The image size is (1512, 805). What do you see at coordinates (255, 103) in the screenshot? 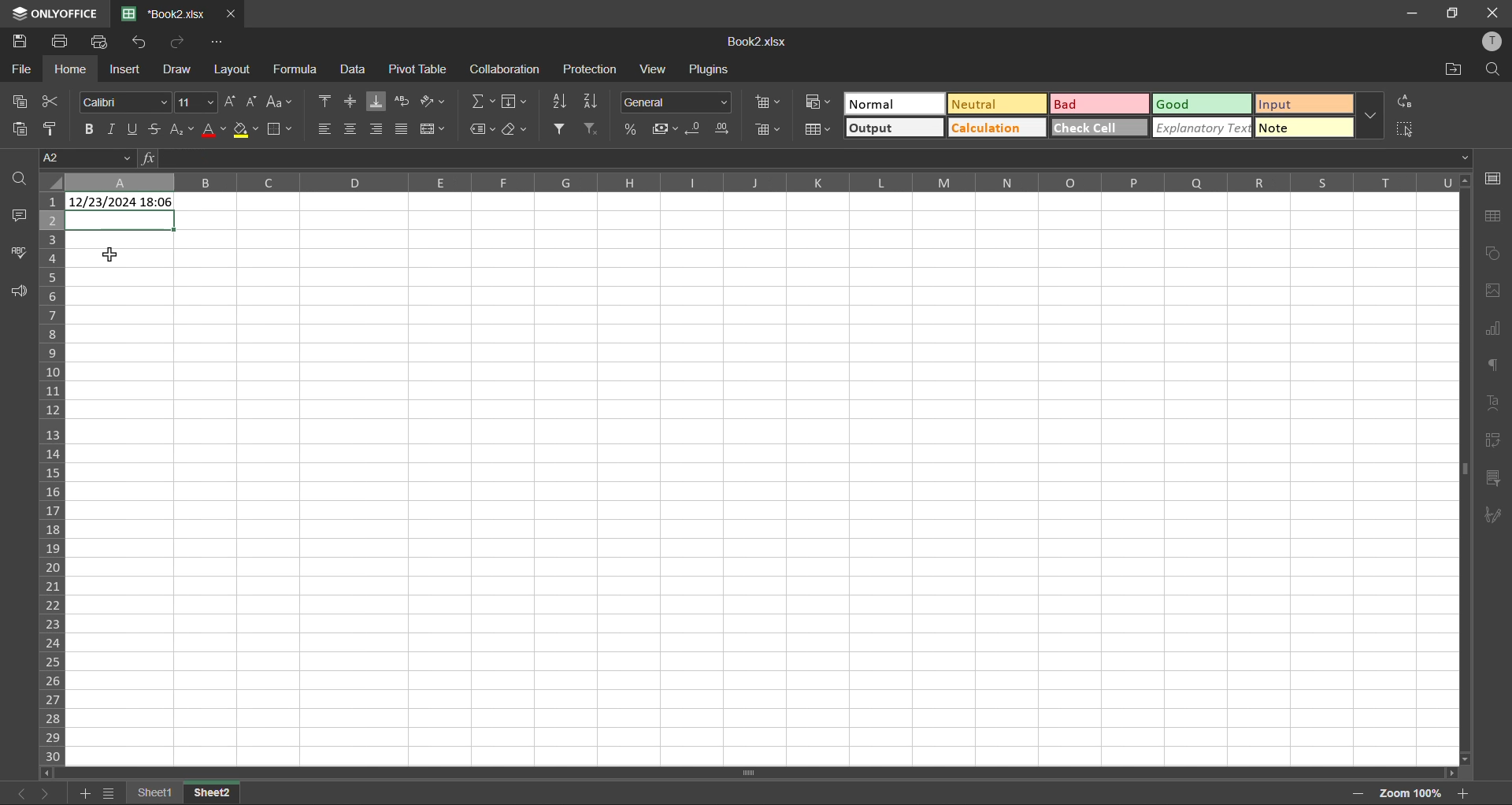
I see `decrement size` at bounding box center [255, 103].